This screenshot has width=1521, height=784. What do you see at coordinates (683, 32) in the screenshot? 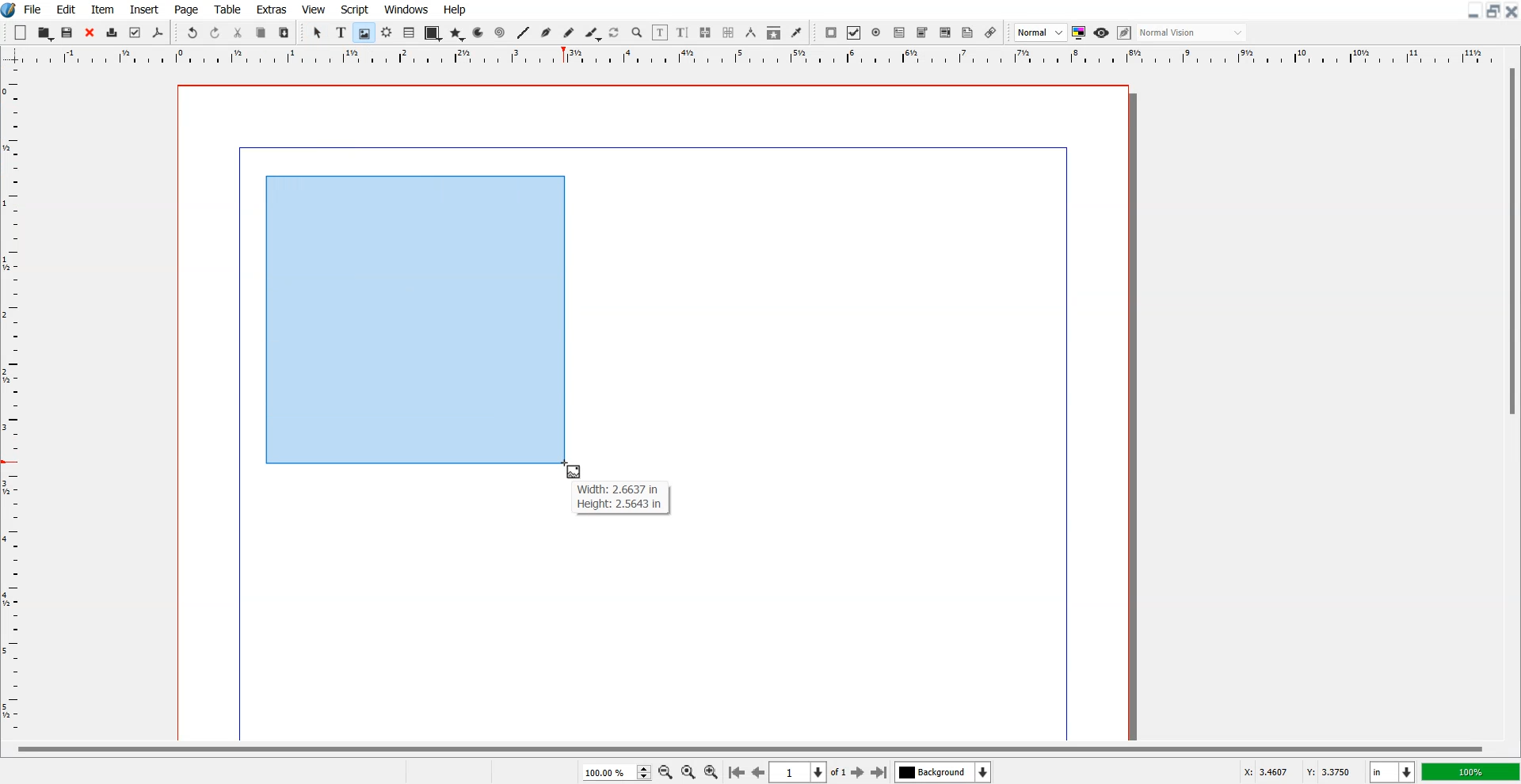
I see `Edit Text` at bounding box center [683, 32].